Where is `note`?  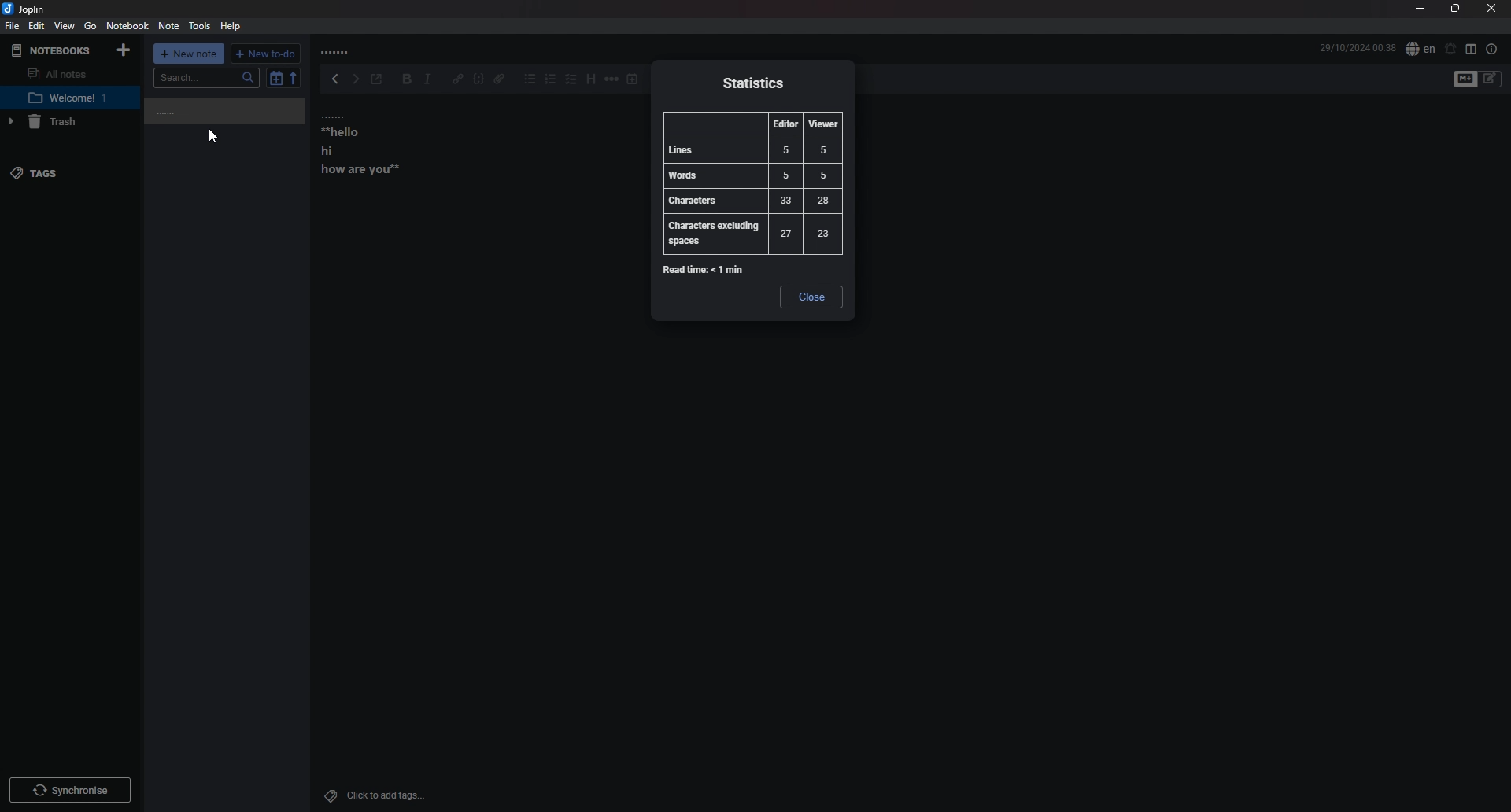
note is located at coordinates (68, 98).